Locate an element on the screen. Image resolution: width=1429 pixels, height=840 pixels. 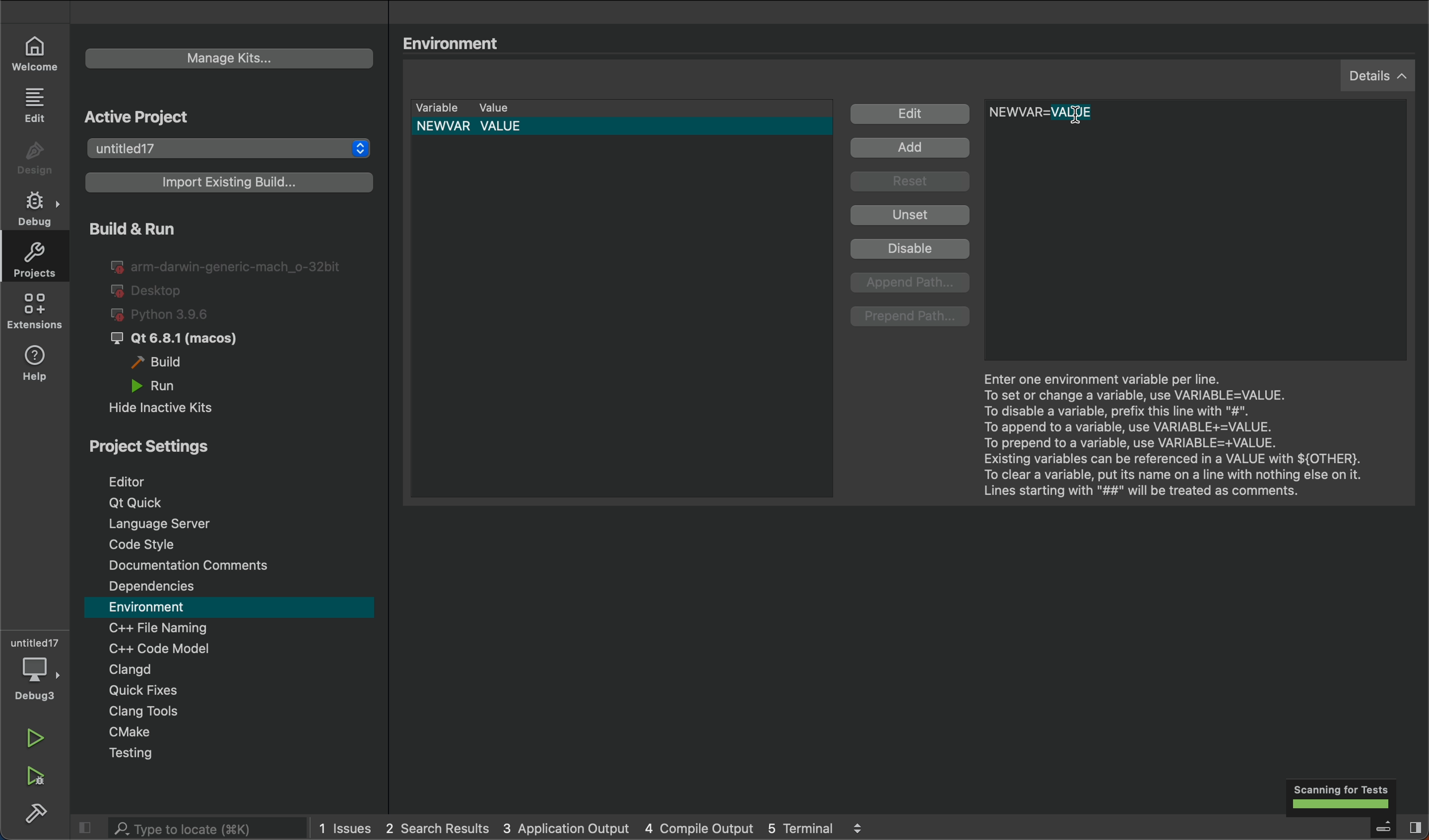
code style is located at coordinates (233, 542).